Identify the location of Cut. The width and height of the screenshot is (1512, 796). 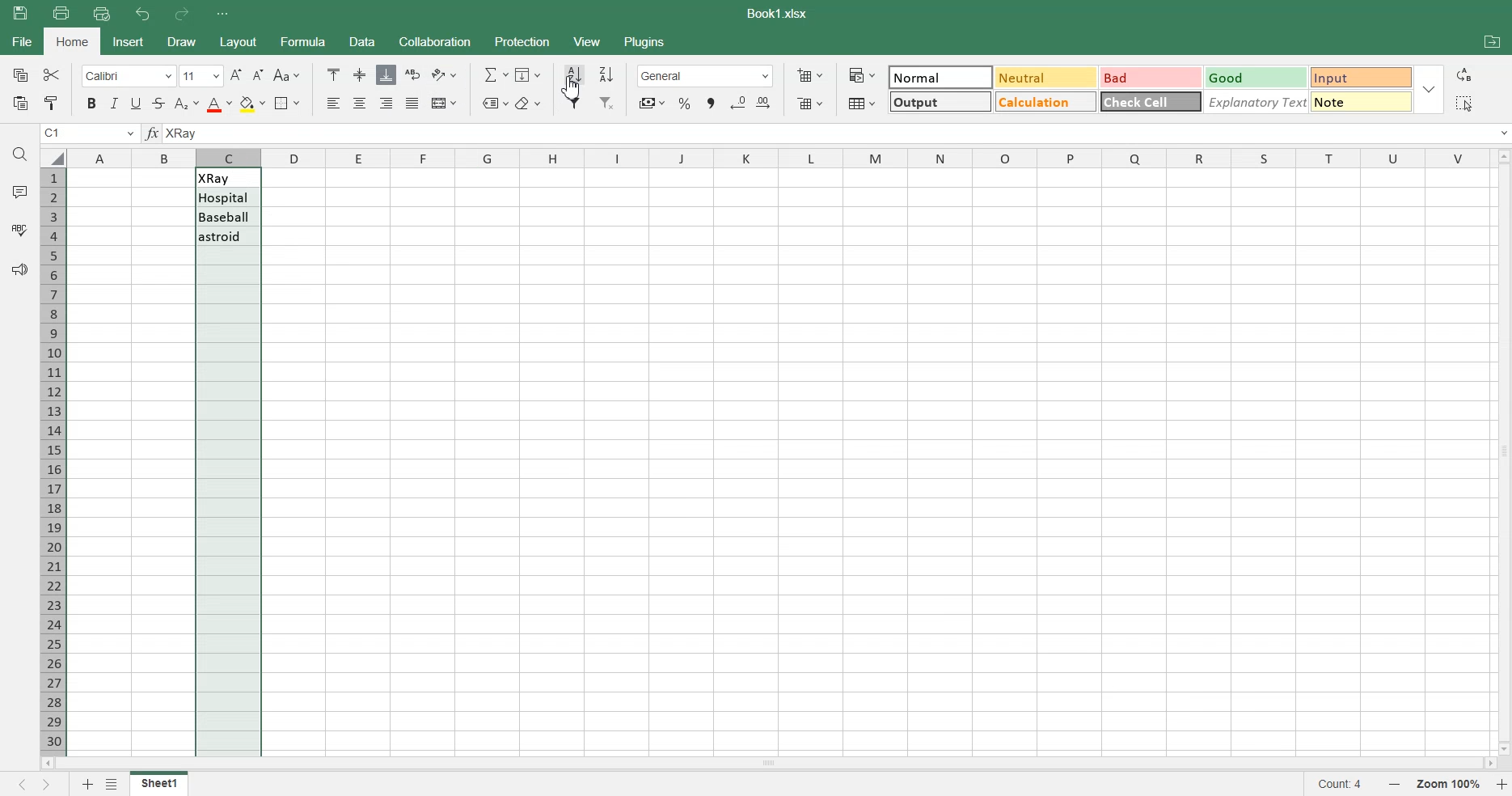
(50, 74).